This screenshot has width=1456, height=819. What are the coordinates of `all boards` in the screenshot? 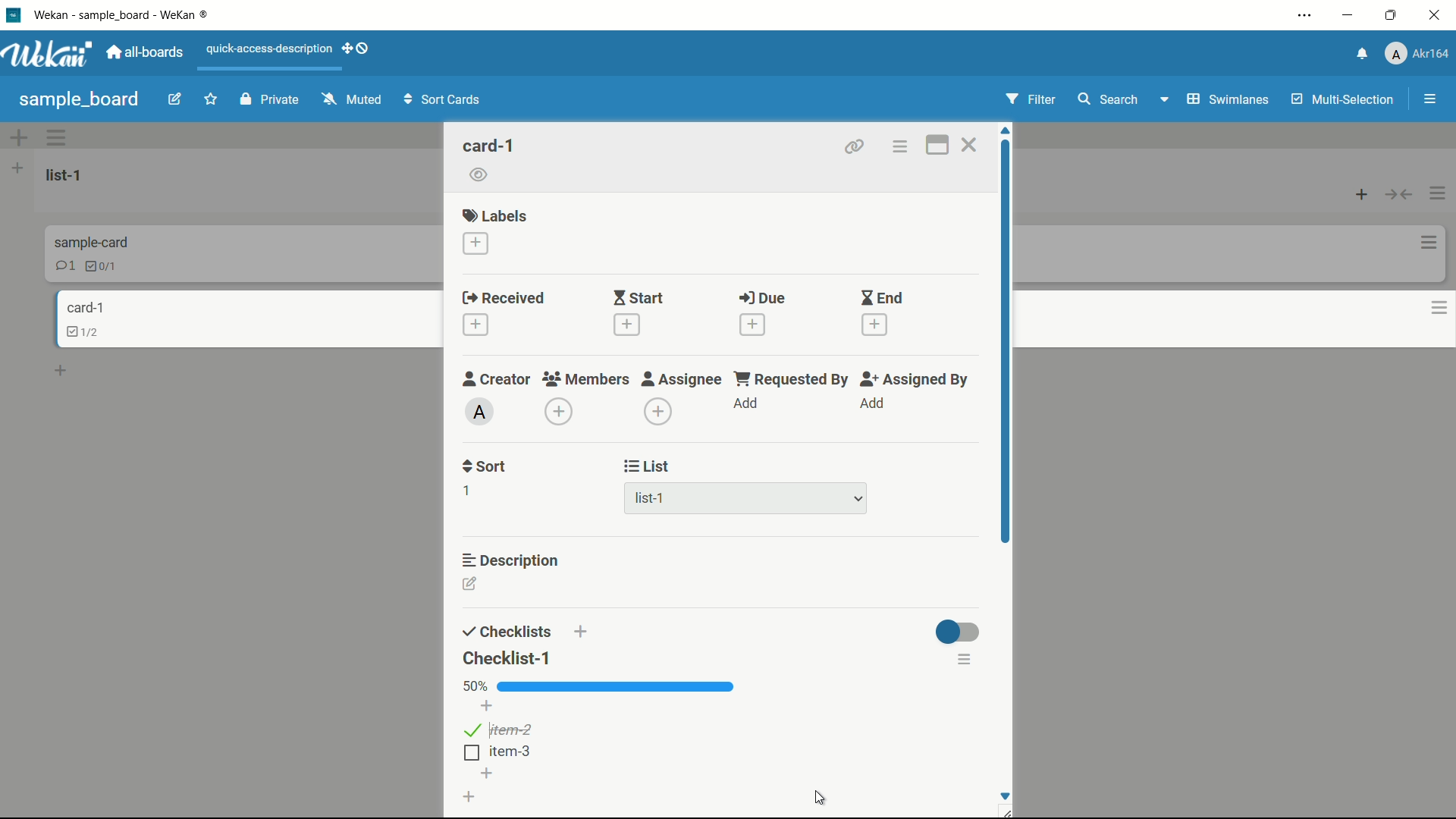 It's located at (145, 54).